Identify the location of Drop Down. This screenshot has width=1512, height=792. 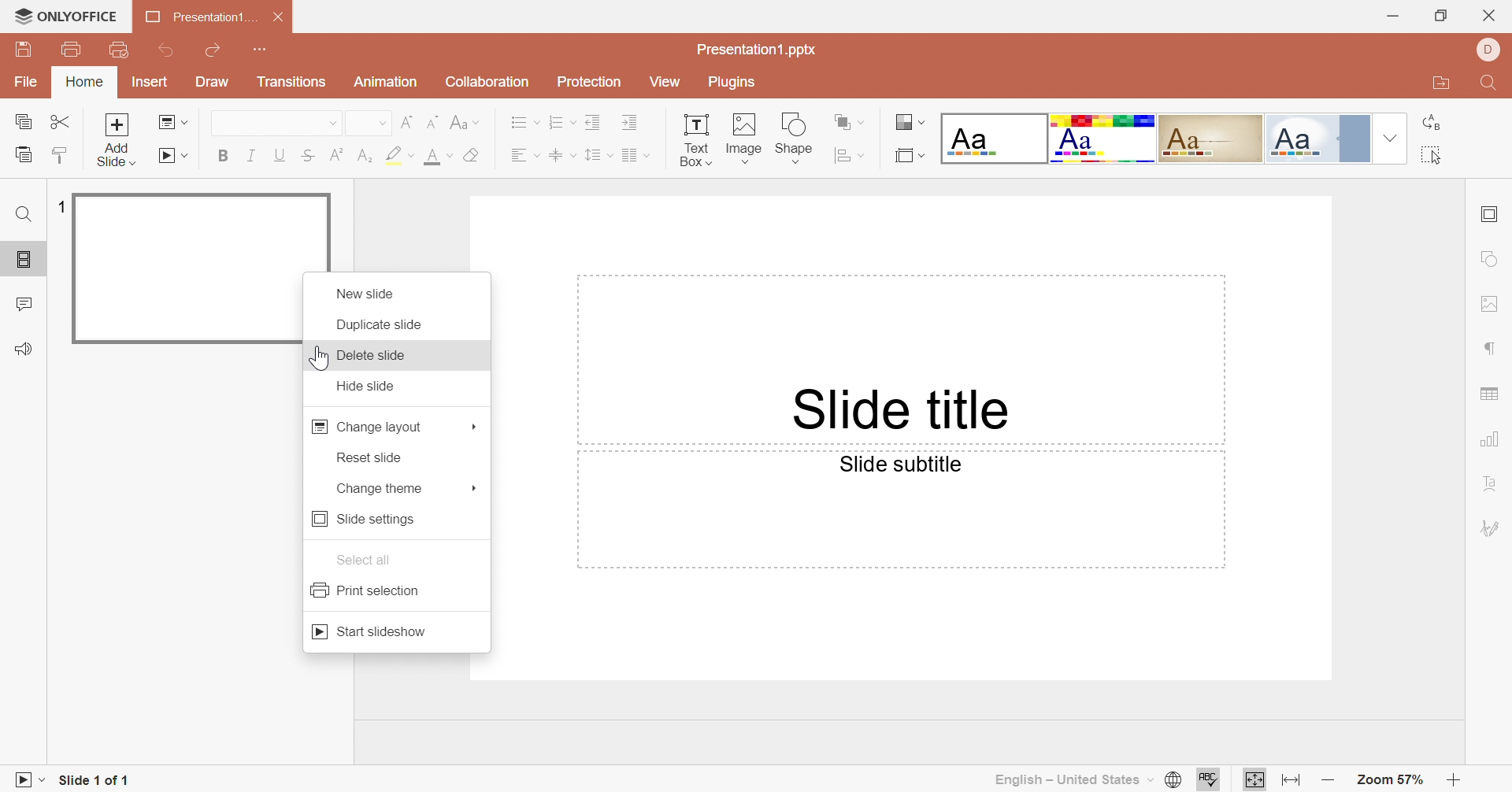
(539, 155).